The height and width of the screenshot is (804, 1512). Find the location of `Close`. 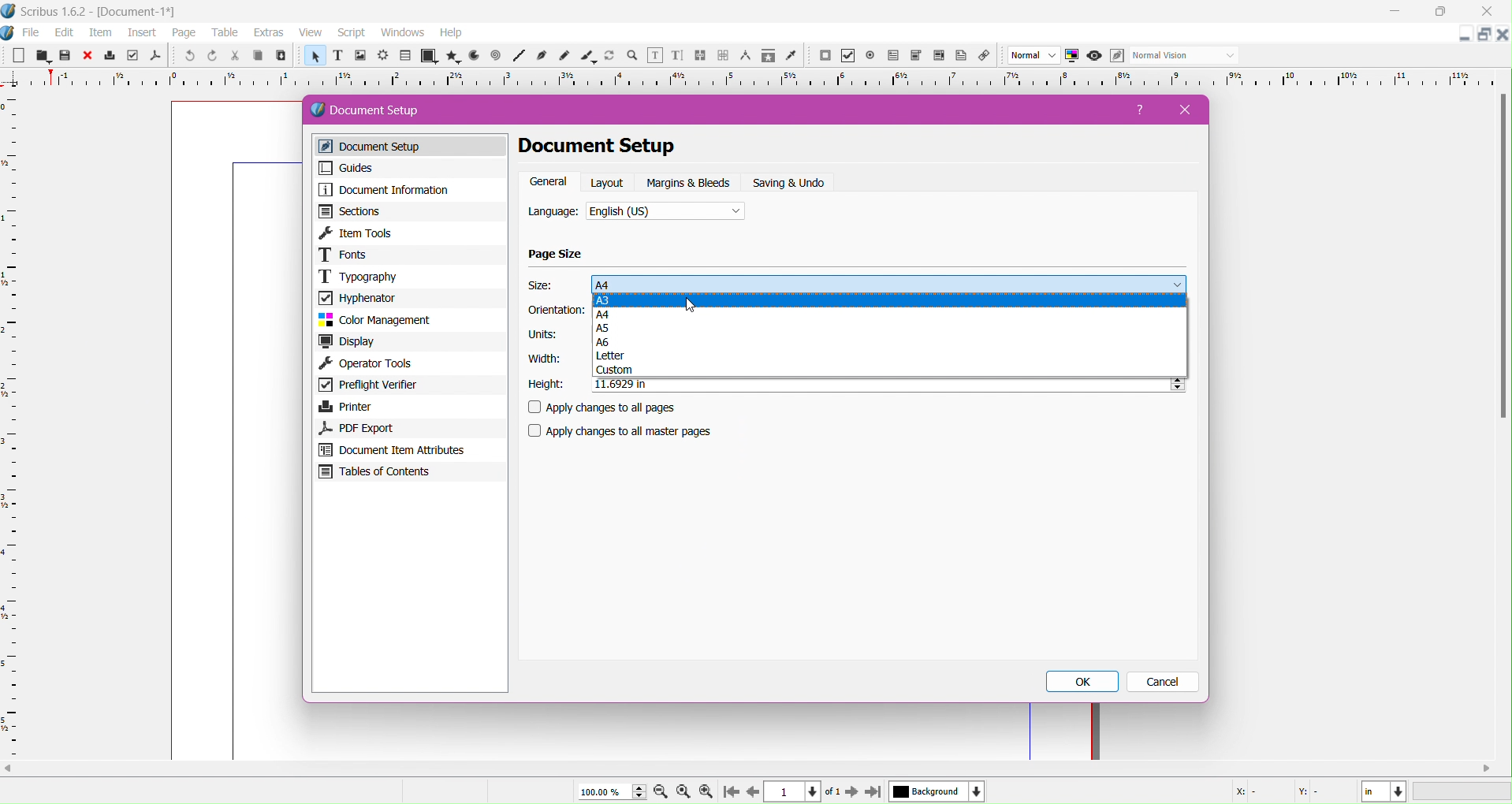

Close is located at coordinates (1180, 110).